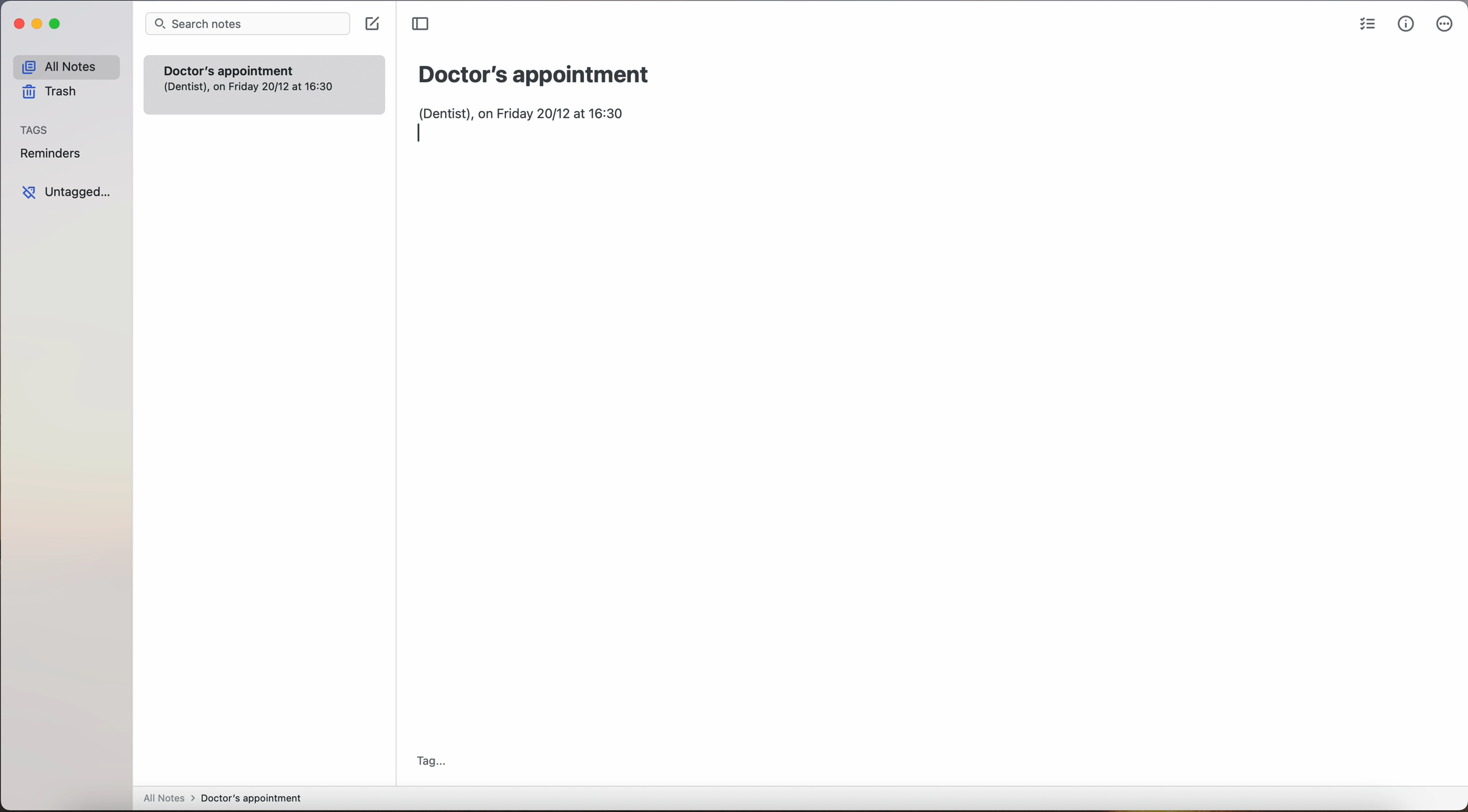 This screenshot has width=1468, height=812. What do you see at coordinates (1405, 24) in the screenshot?
I see `metrics` at bounding box center [1405, 24].